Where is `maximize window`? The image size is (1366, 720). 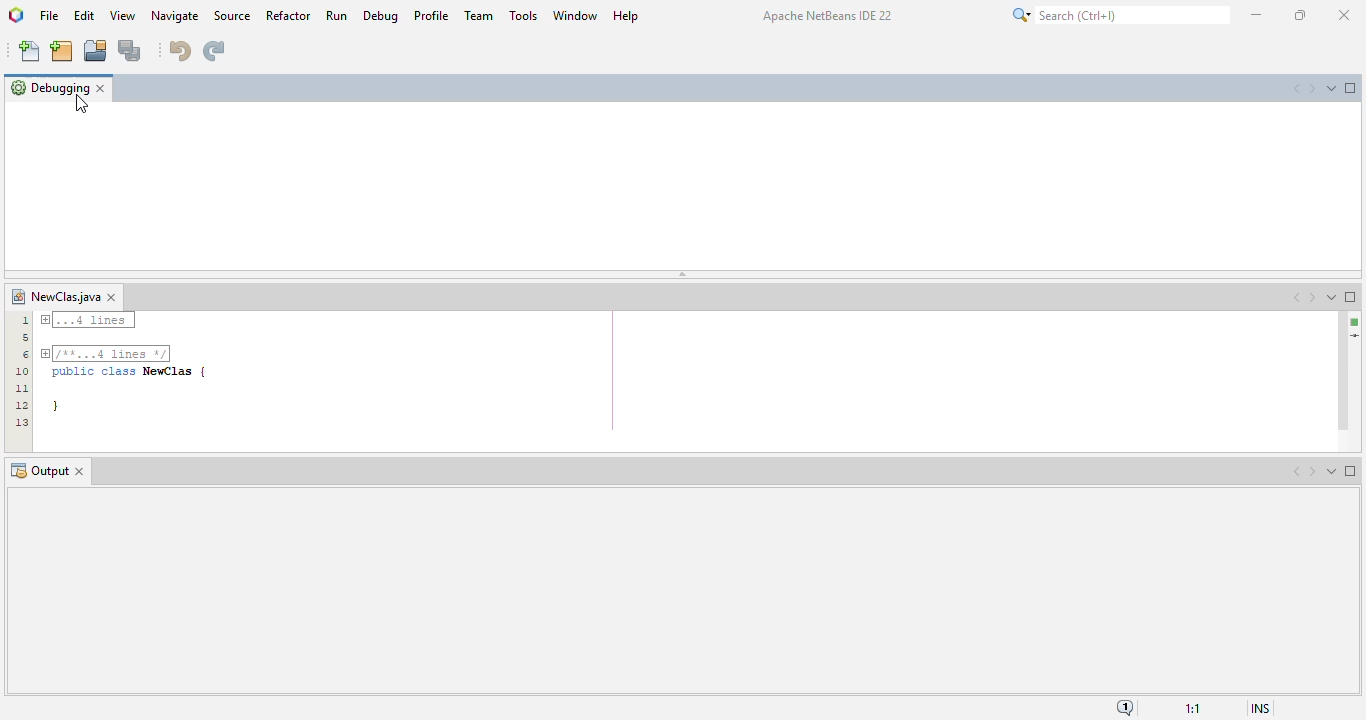
maximize window is located at coordinates (1351, 88).